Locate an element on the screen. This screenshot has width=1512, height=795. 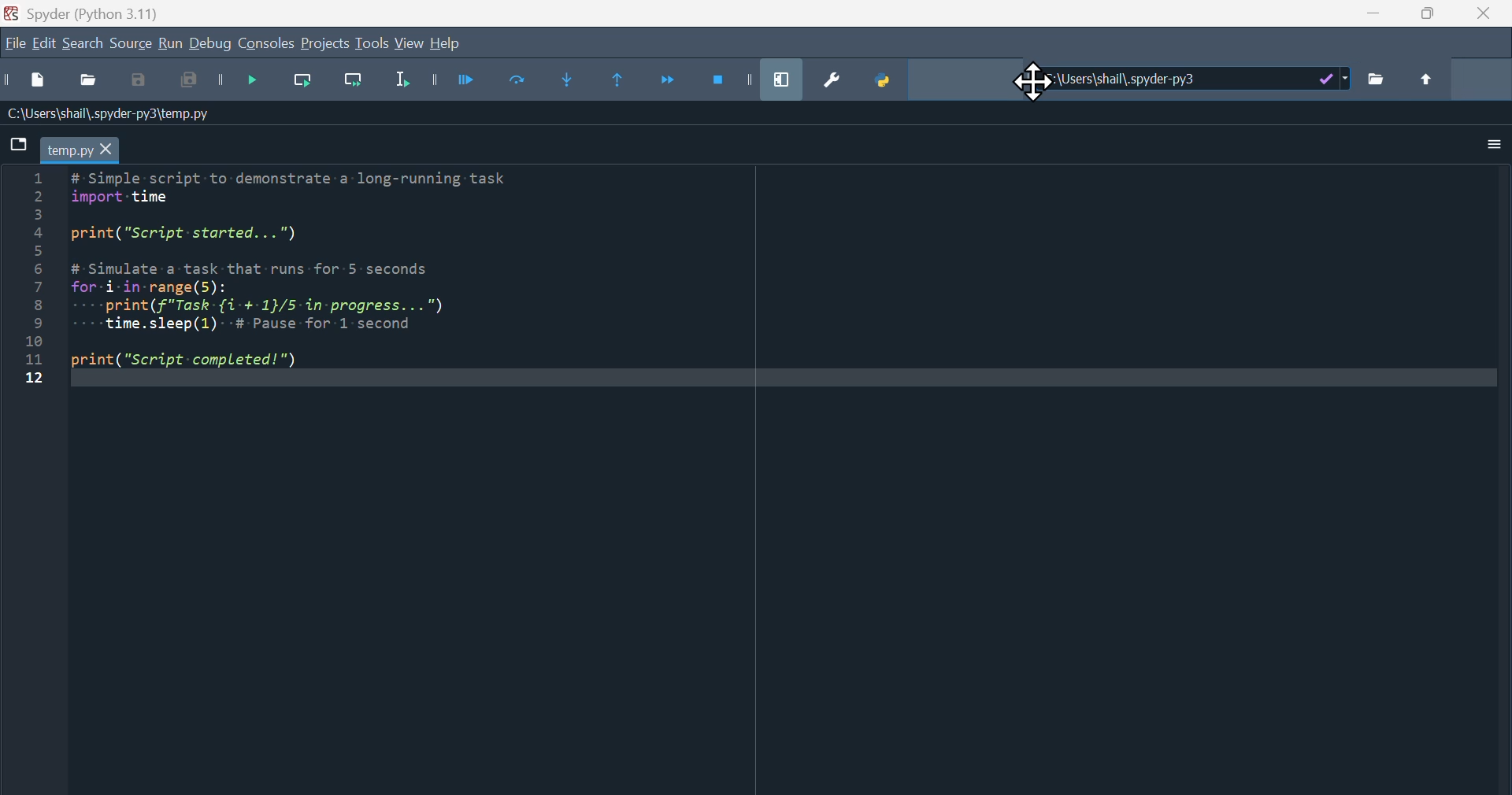
Open file is located at coordinates (87, 83).